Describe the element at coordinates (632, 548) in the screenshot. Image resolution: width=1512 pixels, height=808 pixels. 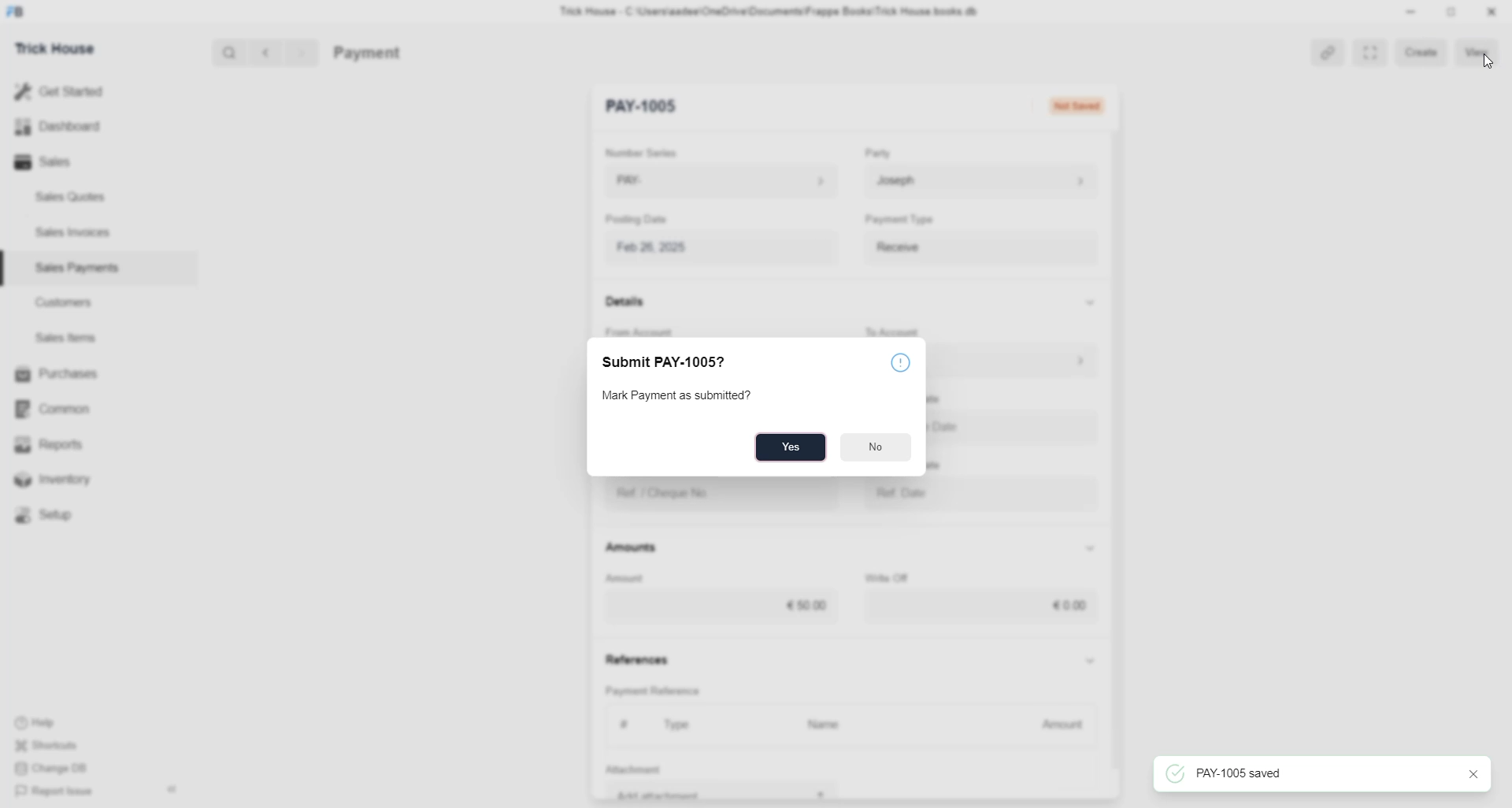
I see `Amounts` at that location.